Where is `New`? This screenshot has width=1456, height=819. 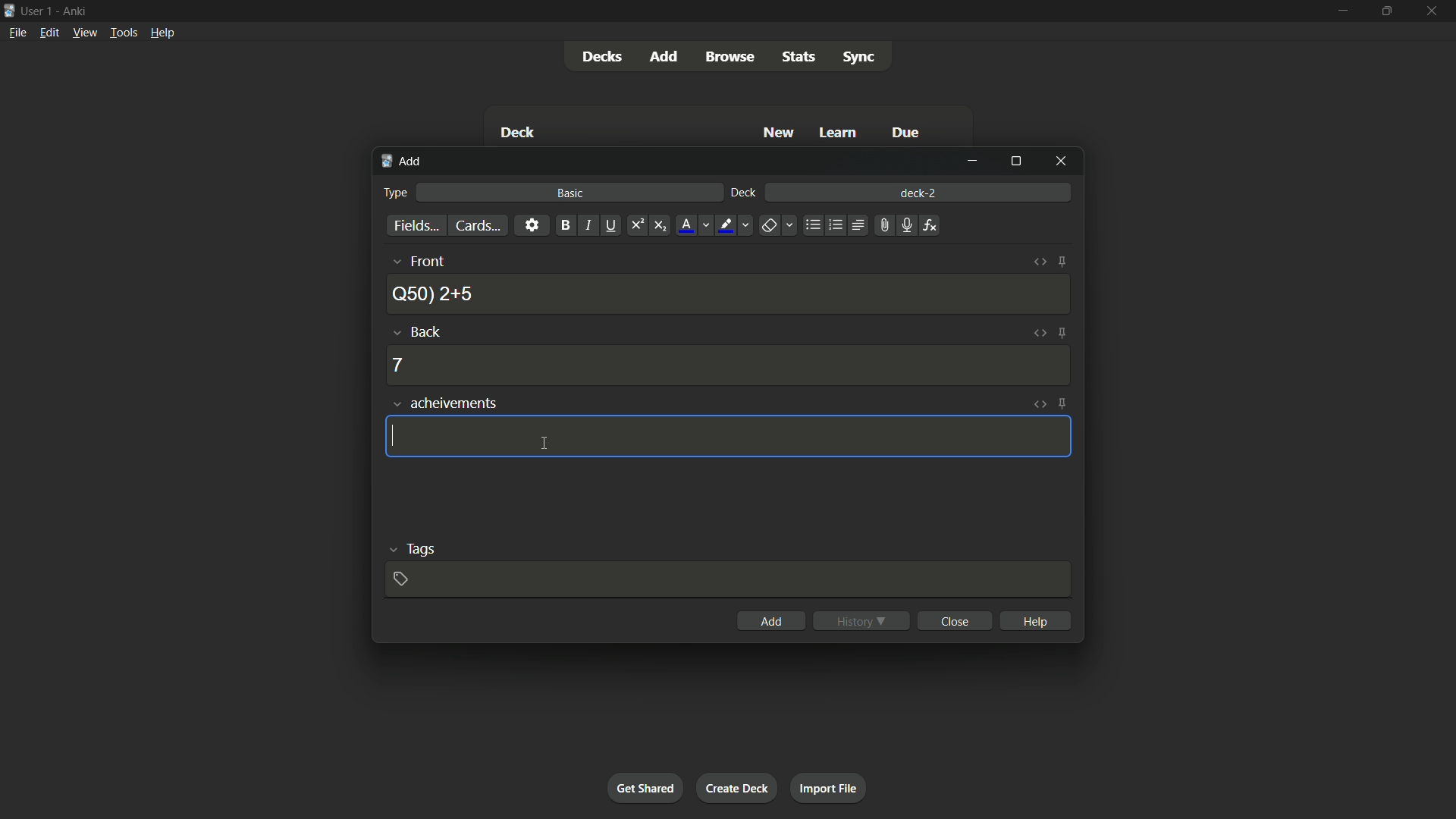
New is located at coordinates (777, 133).